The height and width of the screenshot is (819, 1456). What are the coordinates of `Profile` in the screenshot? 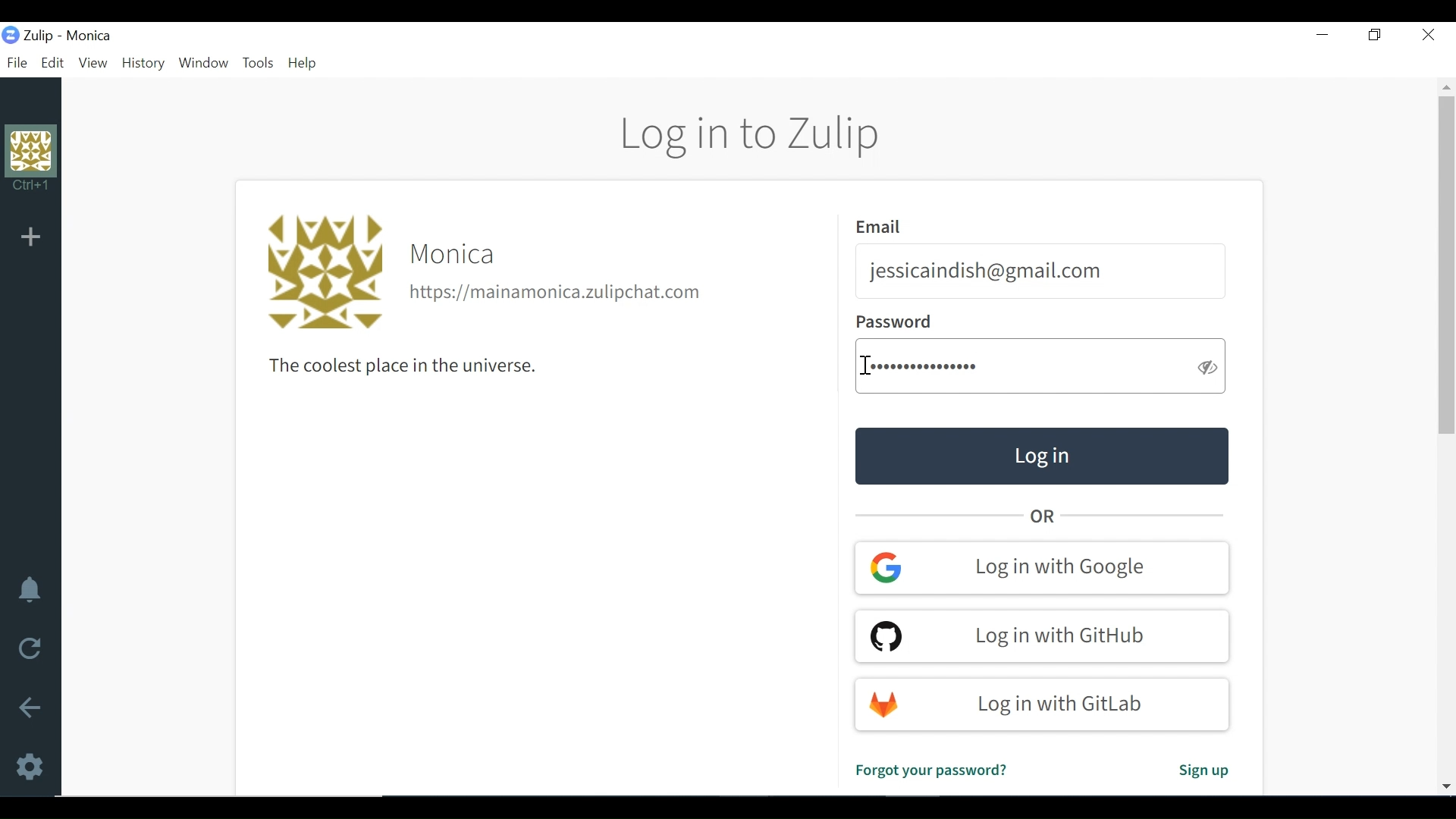 It's located at (31, 163).